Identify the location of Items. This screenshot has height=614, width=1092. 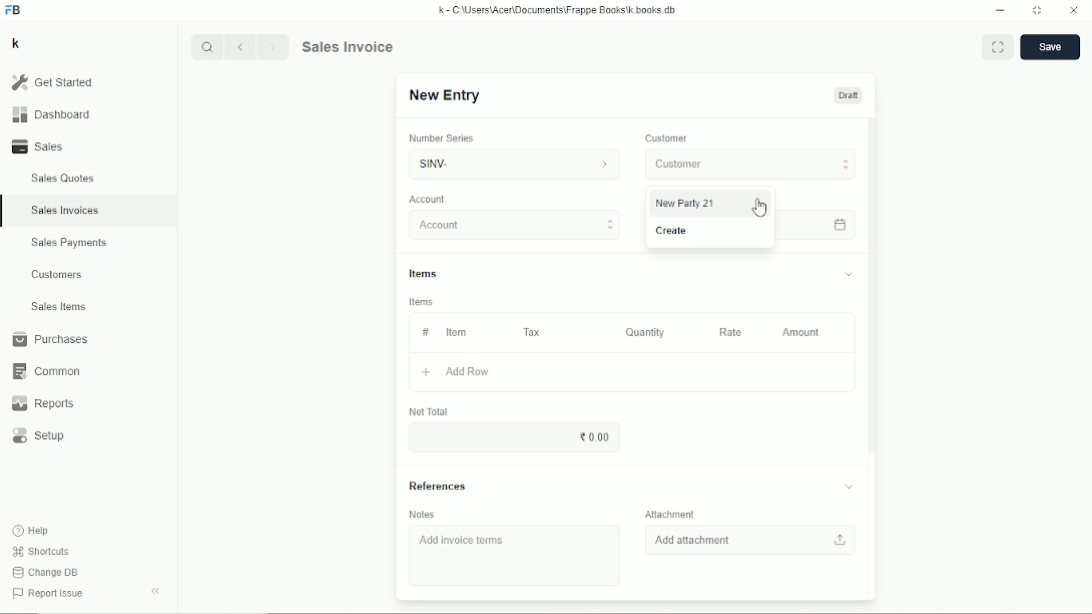
(631, 276).